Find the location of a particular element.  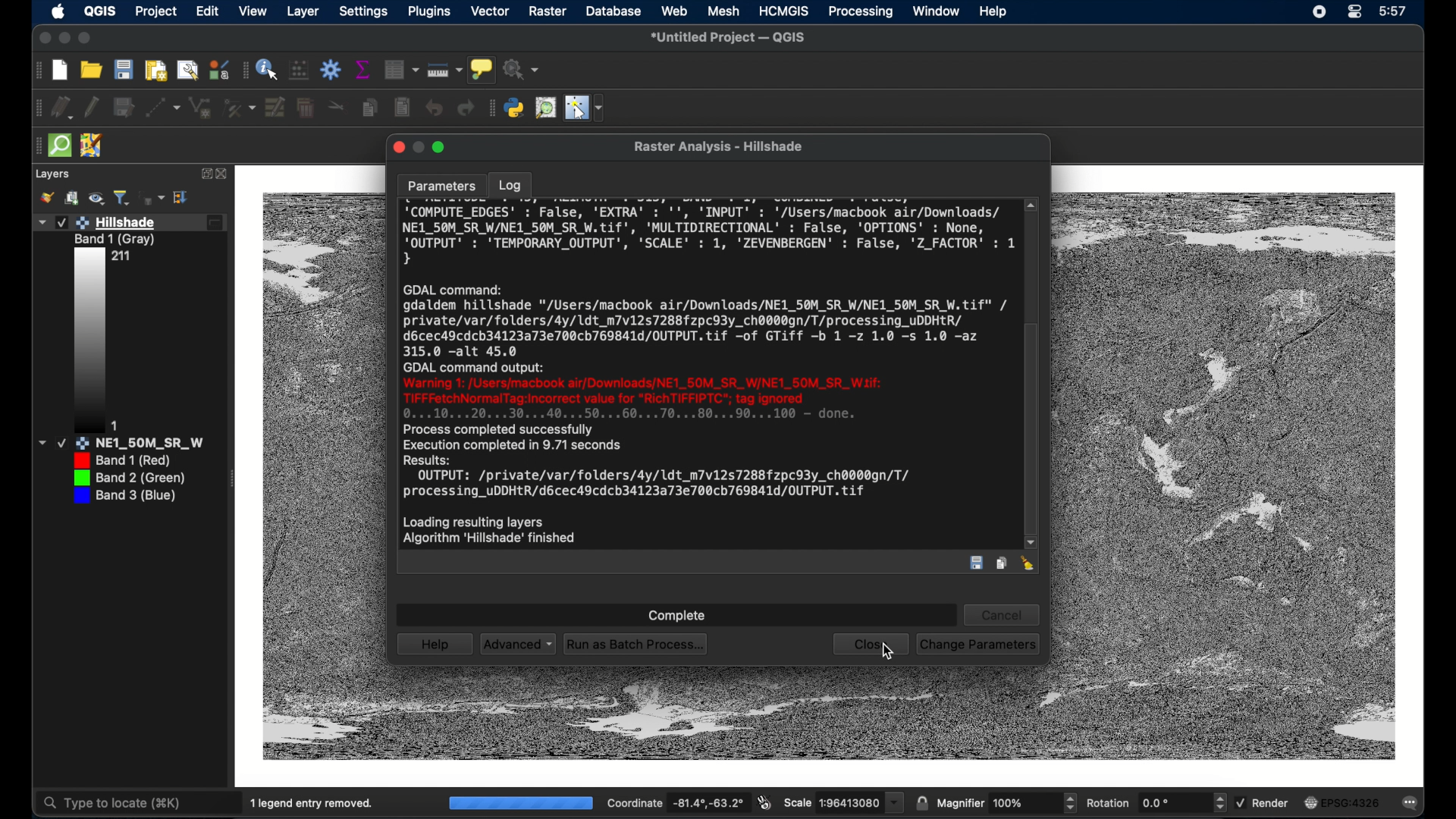

parameters is located at coordinates (442, 186).